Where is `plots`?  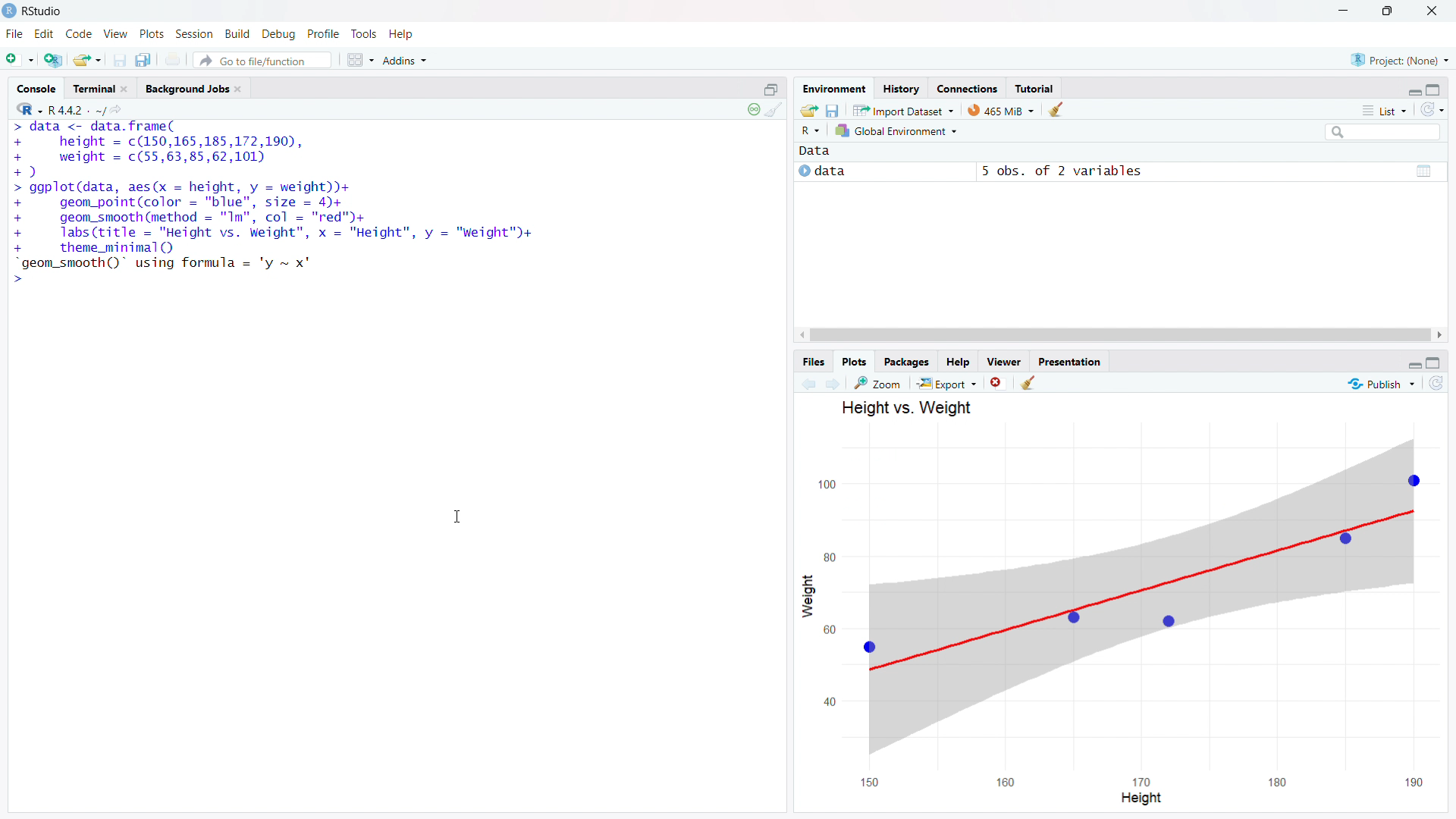
plots is located at coordinates (152, 34).